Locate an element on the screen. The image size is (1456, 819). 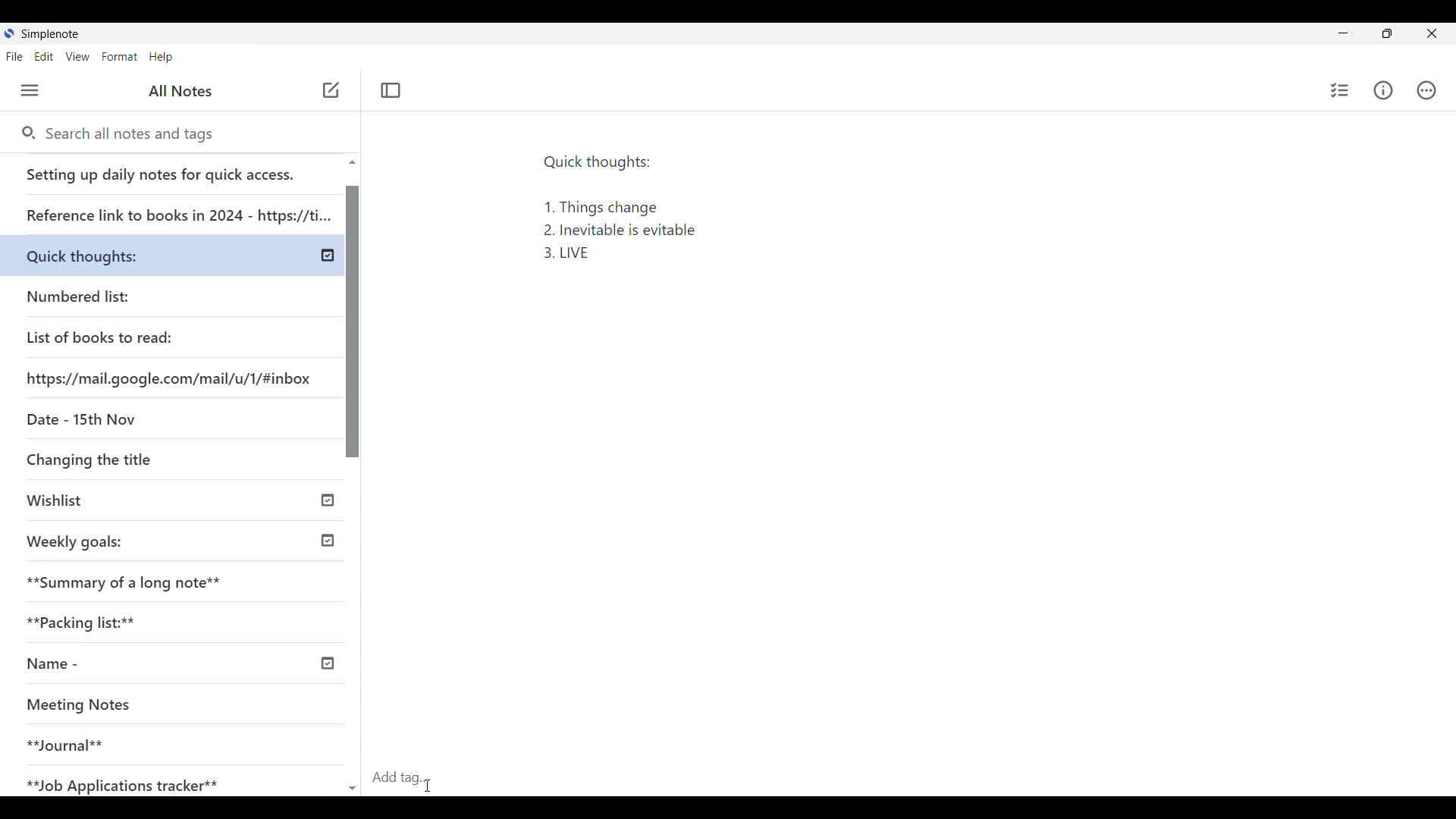
Minimize is located at coordinates (1343, 33).